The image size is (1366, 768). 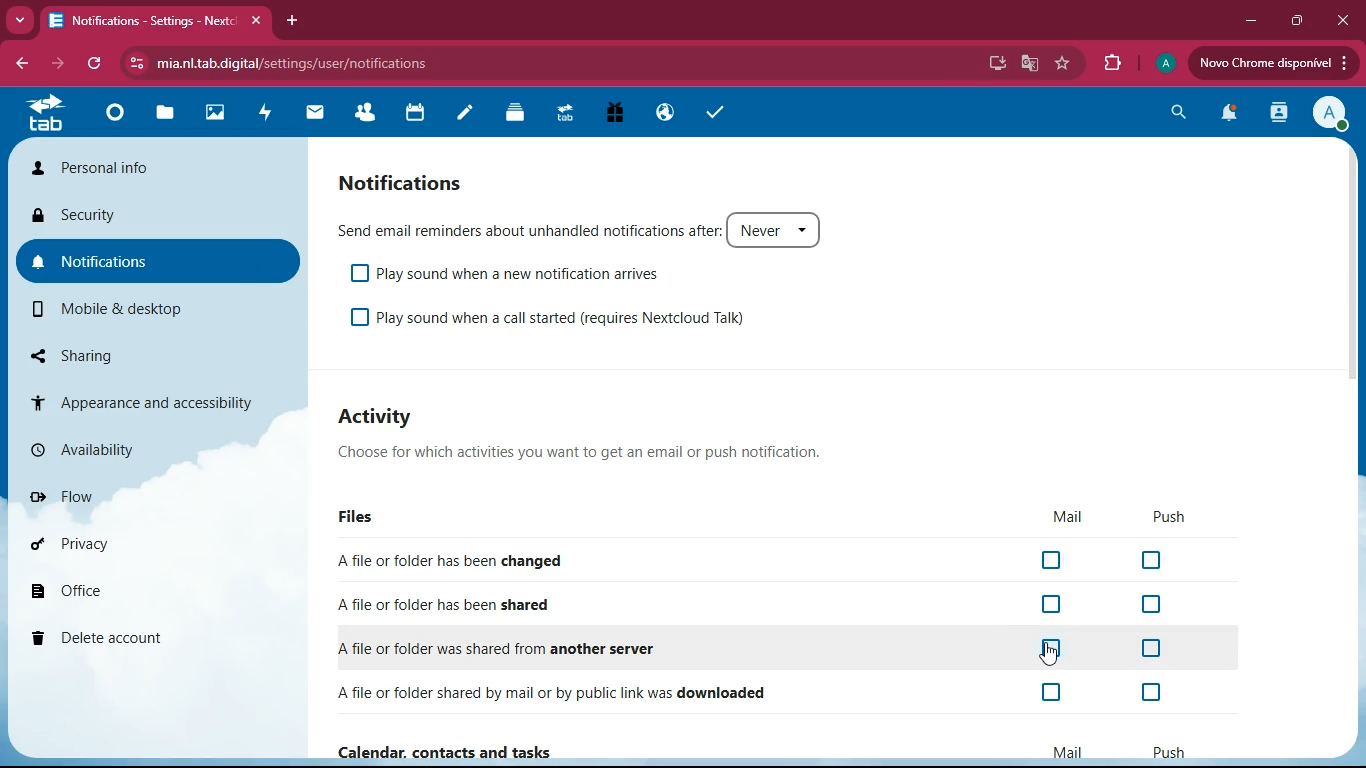 What do you see at coordinates (88, 63) in the screenshot?
I see `refresh` at bounding box center [88, 63].